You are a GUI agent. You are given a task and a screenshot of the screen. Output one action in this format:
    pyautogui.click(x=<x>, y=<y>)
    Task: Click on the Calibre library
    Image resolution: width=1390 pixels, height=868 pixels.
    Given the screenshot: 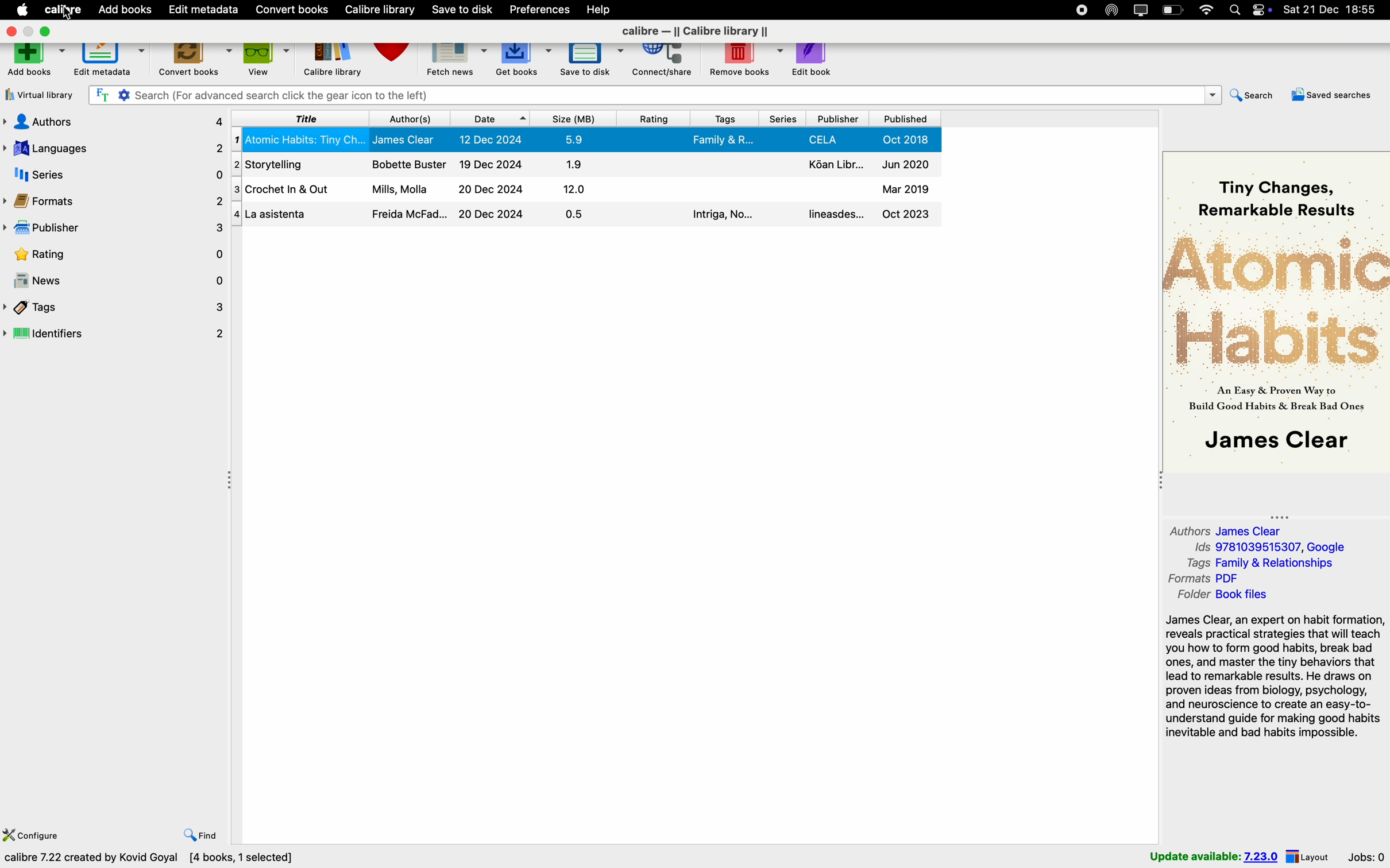 What is the action you would take?
    pyautogui.click(x=383, y=10)
    